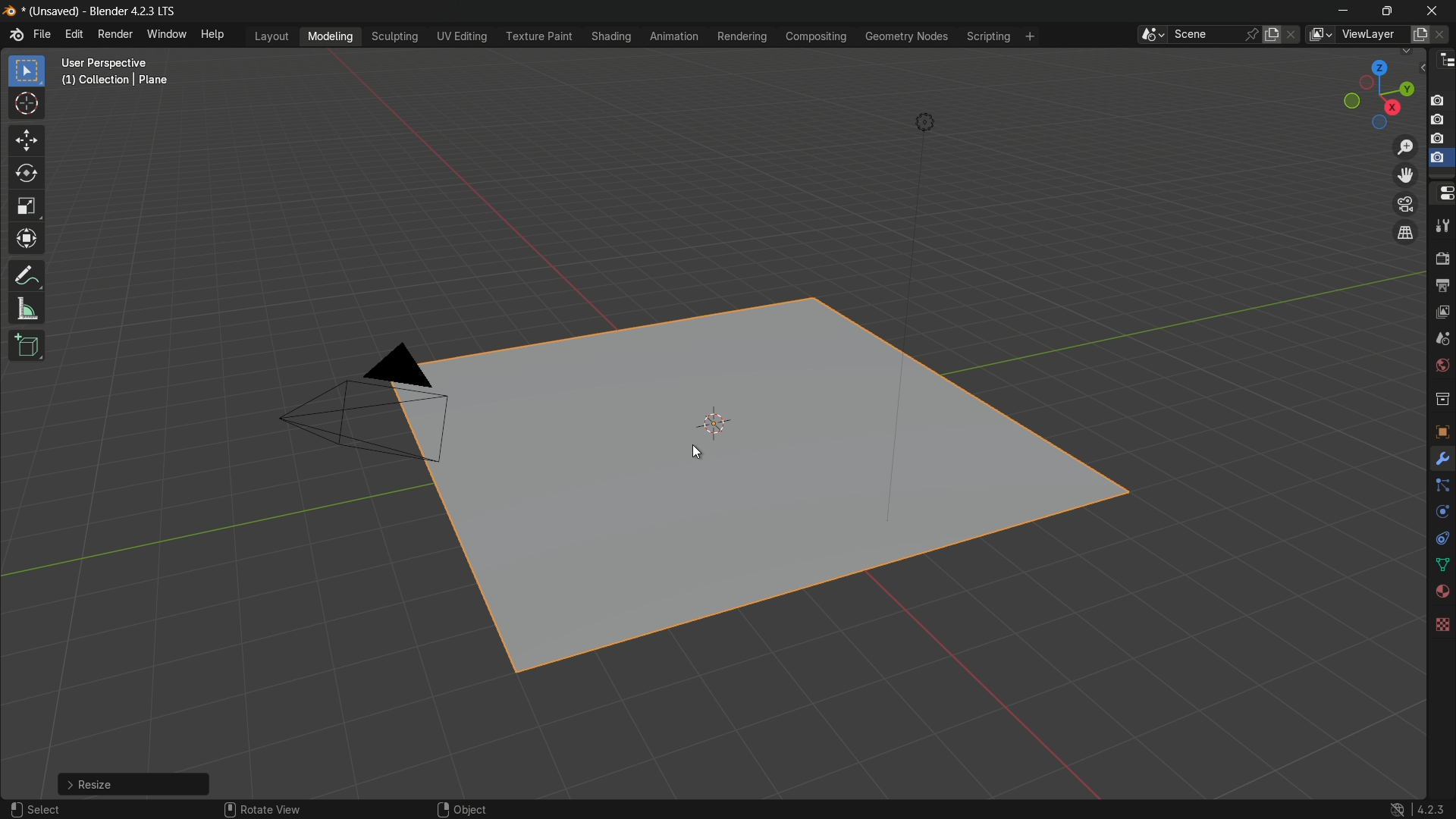 The width and height of the screenshot is (1456, 819). I want to click on cursor, so click(27, 105).